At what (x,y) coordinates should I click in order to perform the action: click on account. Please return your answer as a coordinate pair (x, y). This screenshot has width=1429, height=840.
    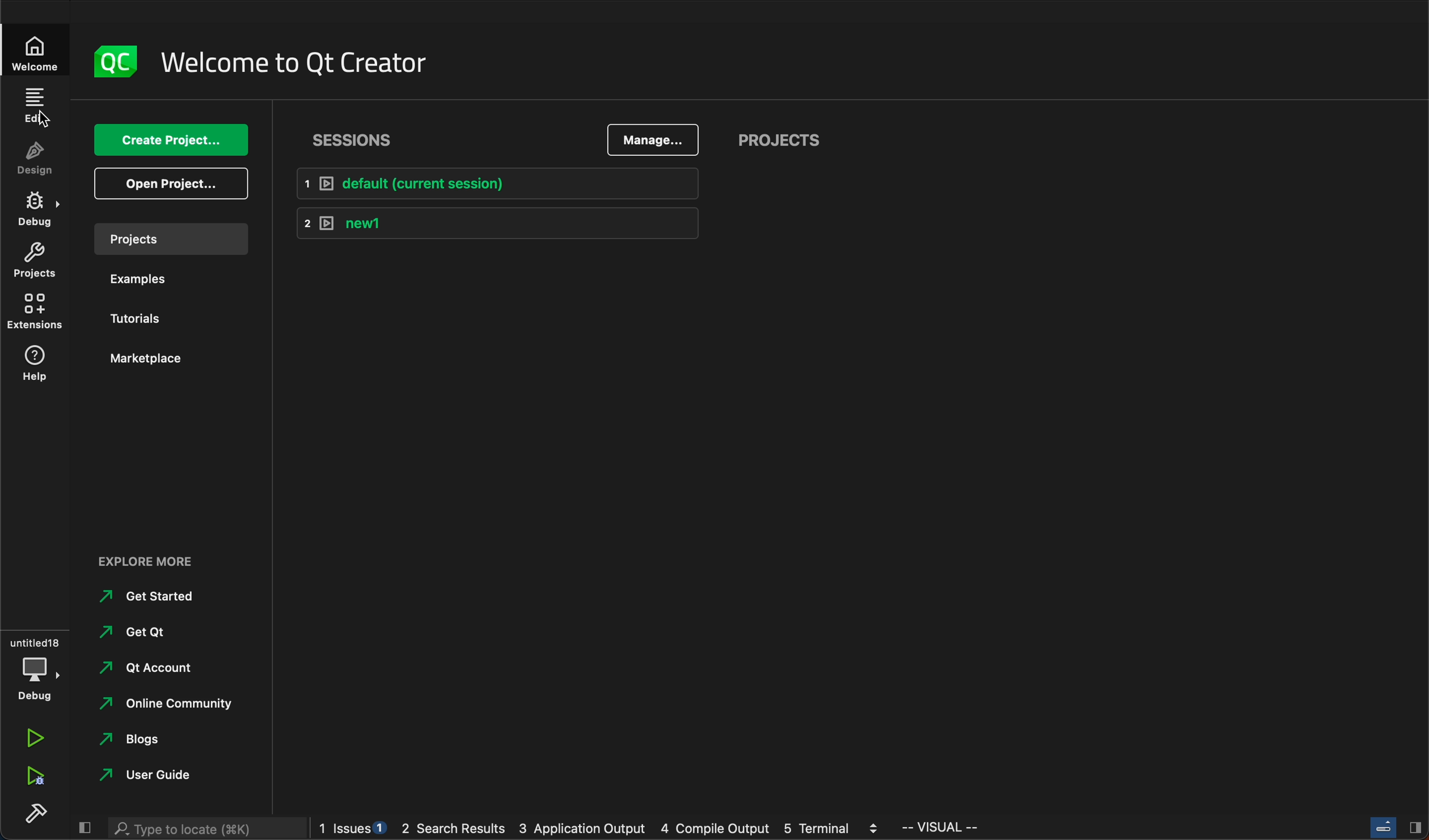
    Looking at the image, I should click on (149, 667).